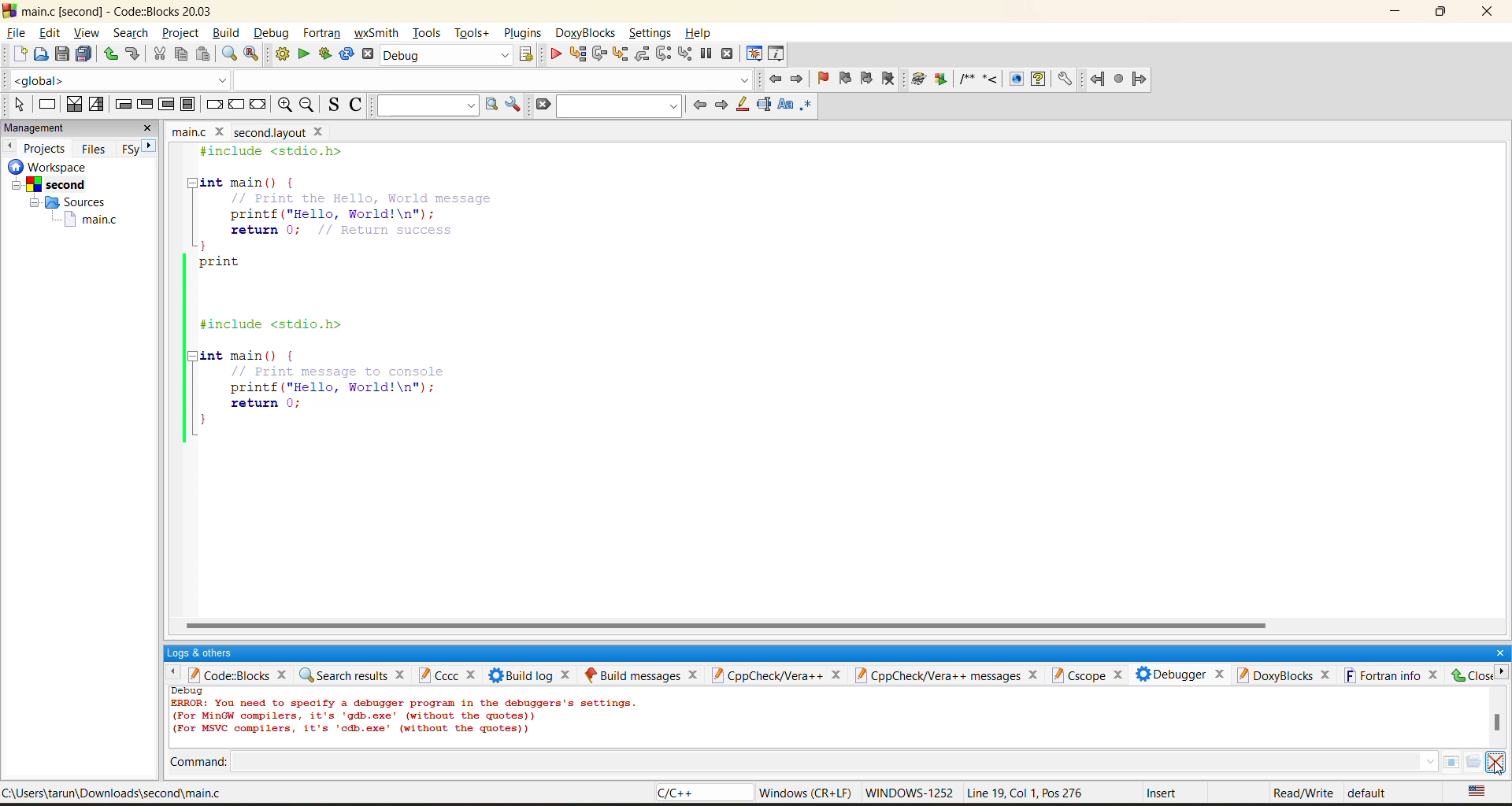 This screenshot has width=1512, height=806. I want to click on right menu, so click(1503, 678).